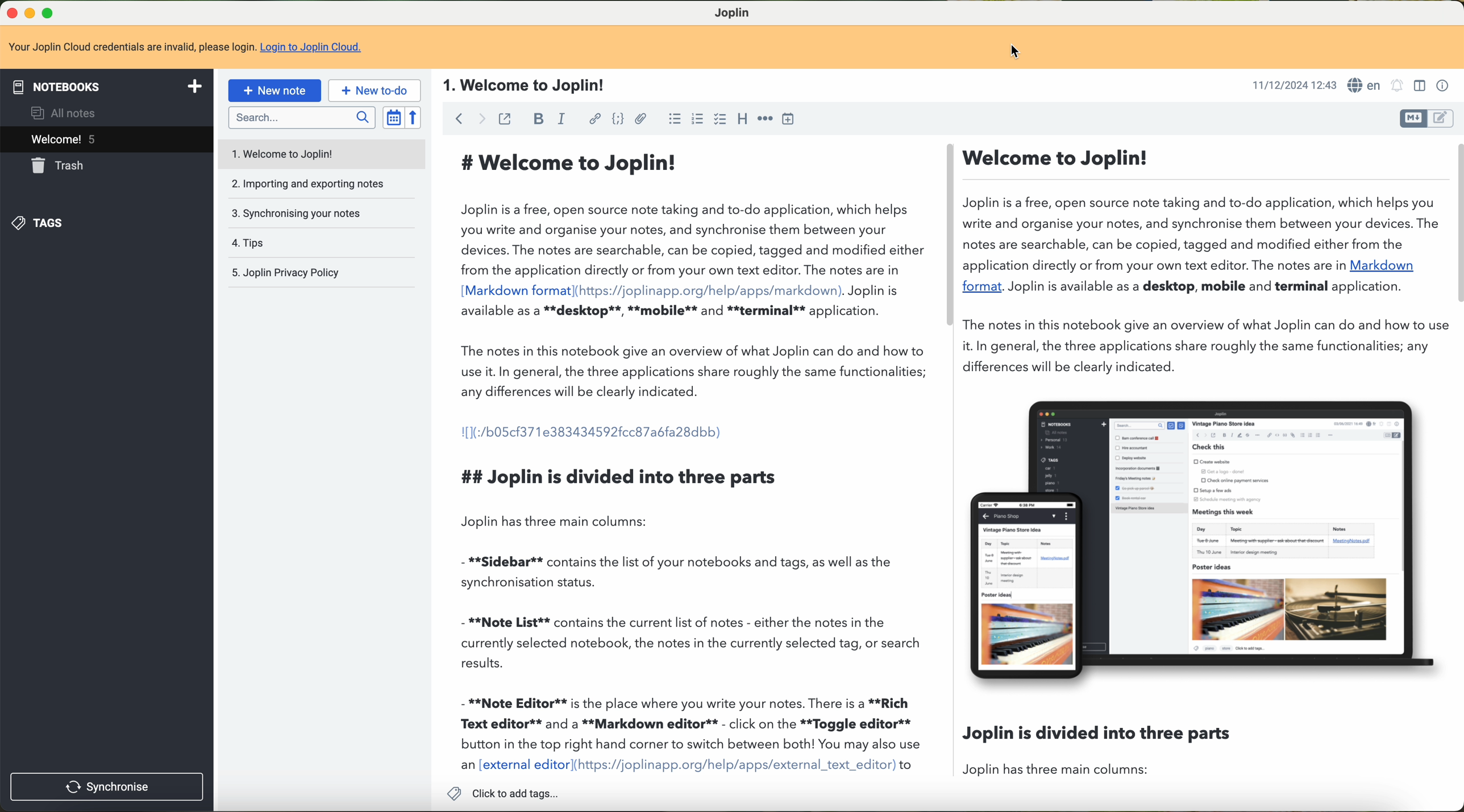 The width and height of the screenshot is (1464, 812). What do you see at coordinates (107, 84) in the screenshot?
I see `notebooks` at bounding box center [107, 84].